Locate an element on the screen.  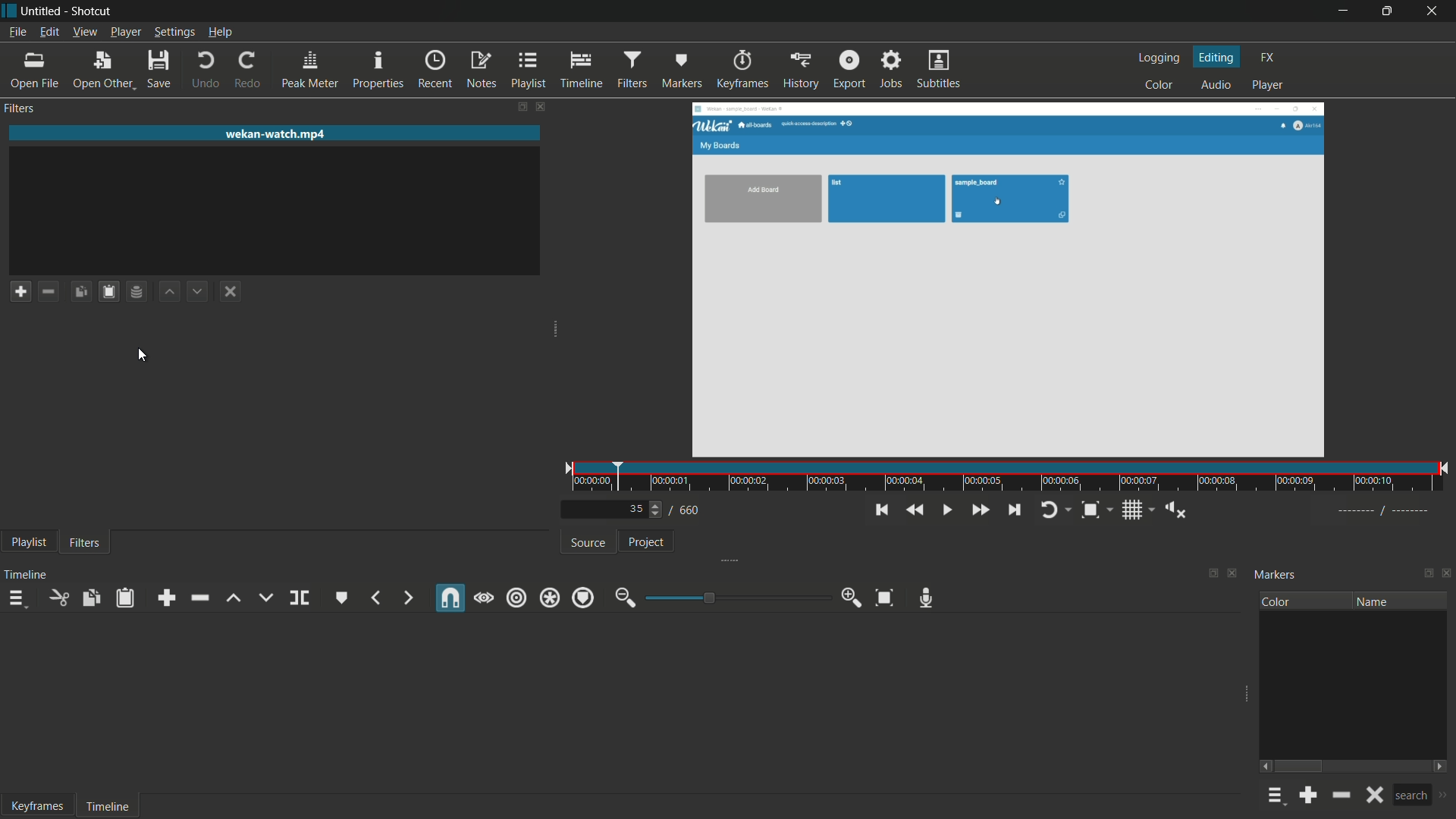
append is located at coordinates (167, 597).